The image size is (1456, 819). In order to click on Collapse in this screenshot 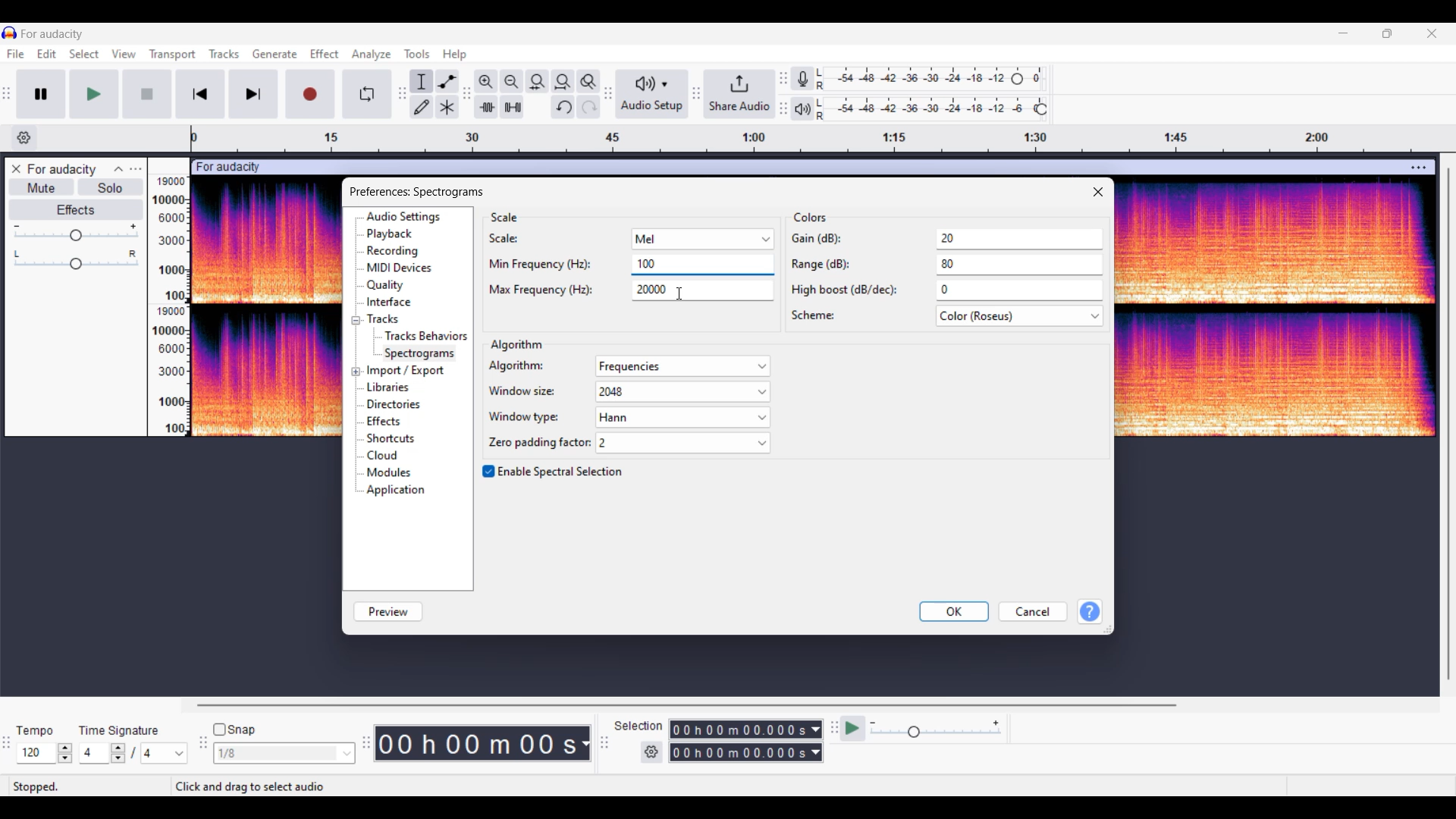, I will do `click(118, 169)`.